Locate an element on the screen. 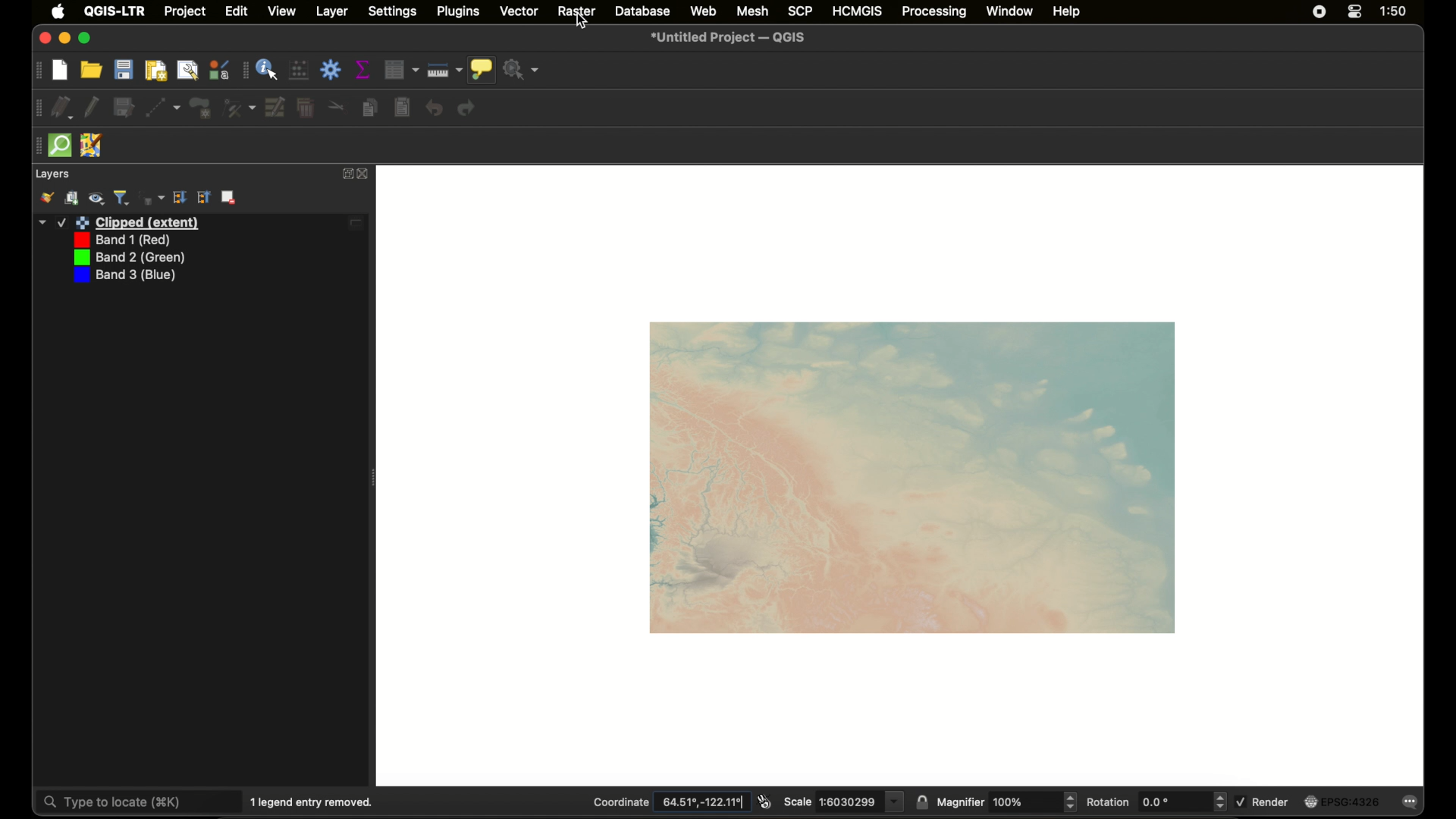  plugins is located at coordinates (459, 11).